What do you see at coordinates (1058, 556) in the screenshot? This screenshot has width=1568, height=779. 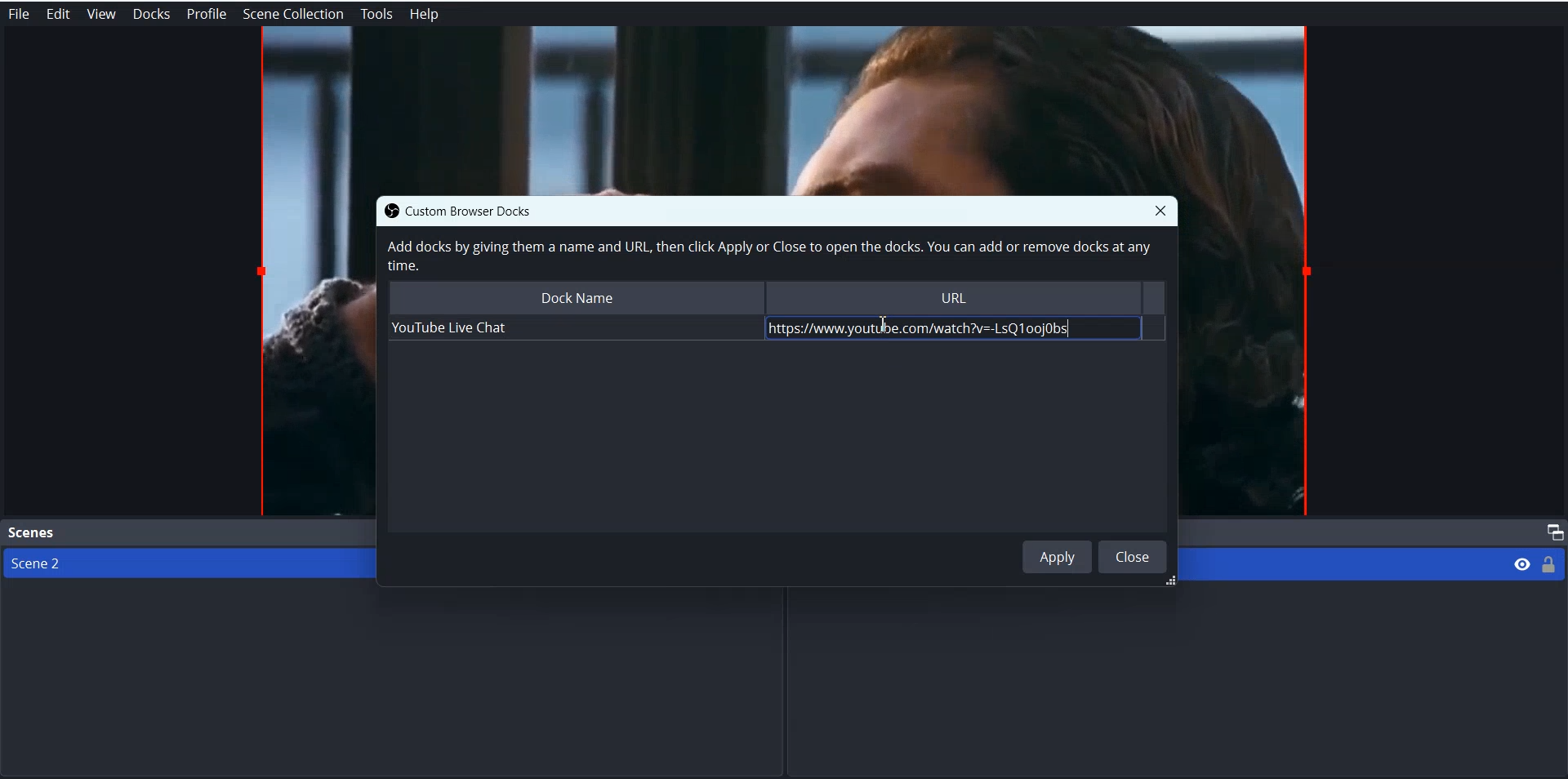 I see `Apply` at bounding box center [1058, 556].